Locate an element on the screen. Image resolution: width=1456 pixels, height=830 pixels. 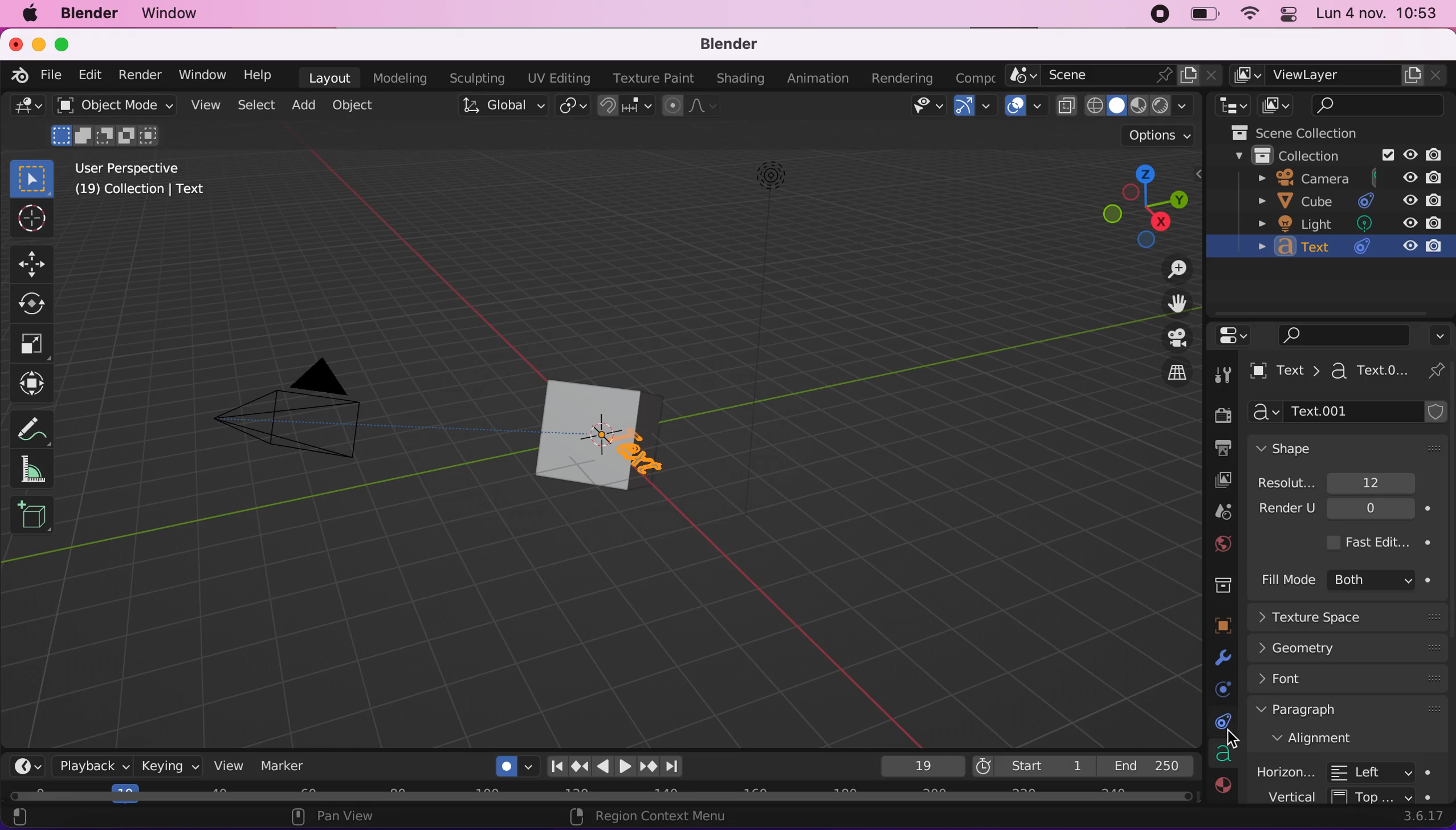
shape is located at coordinates (1346, 448).